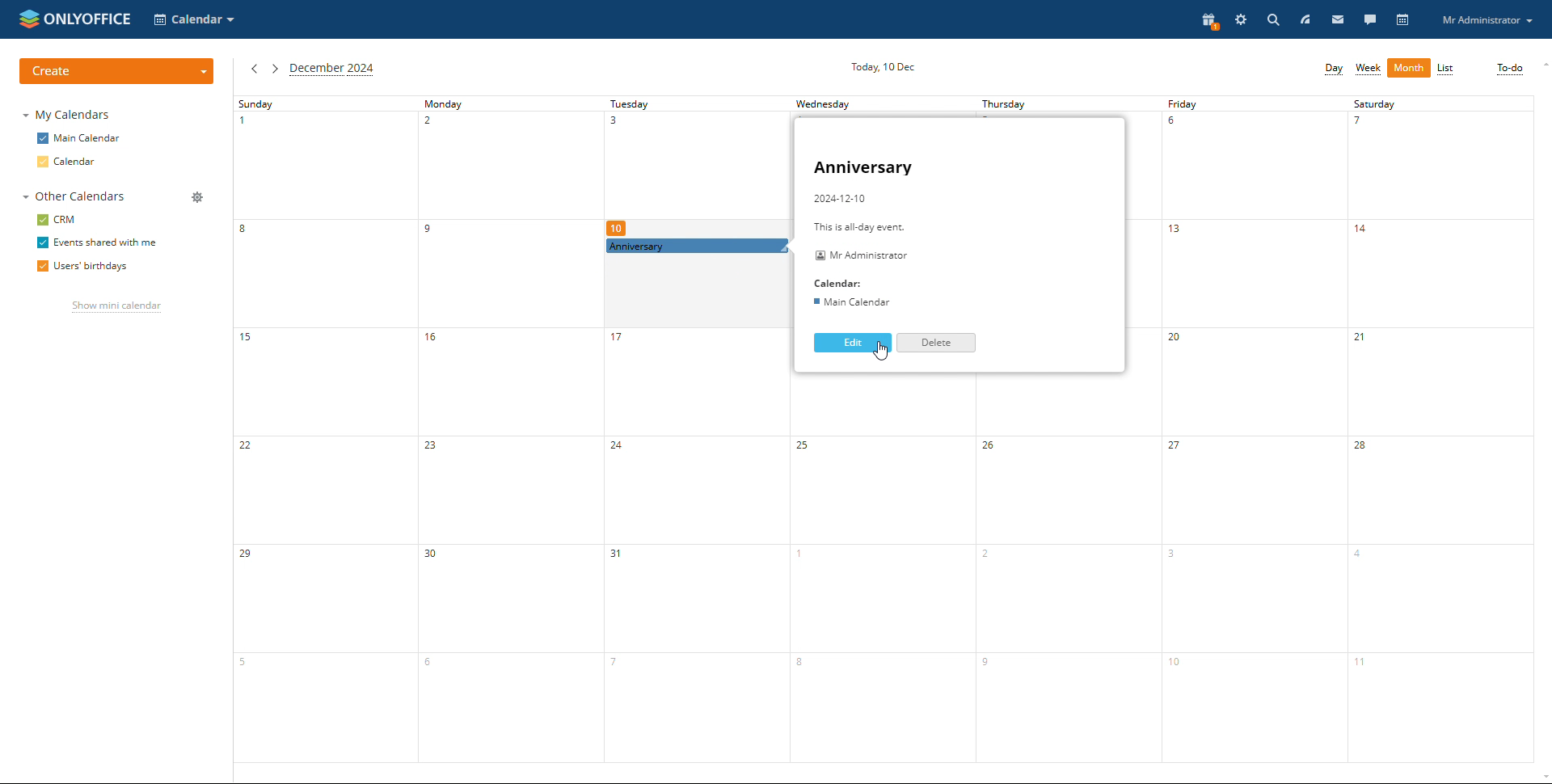 Image resolution: width=1552 pixels, height=784 pixels. What do you see at coordinates (850, 302) in the screenshot?
I see `main calender` at bounding box center [850, 302].